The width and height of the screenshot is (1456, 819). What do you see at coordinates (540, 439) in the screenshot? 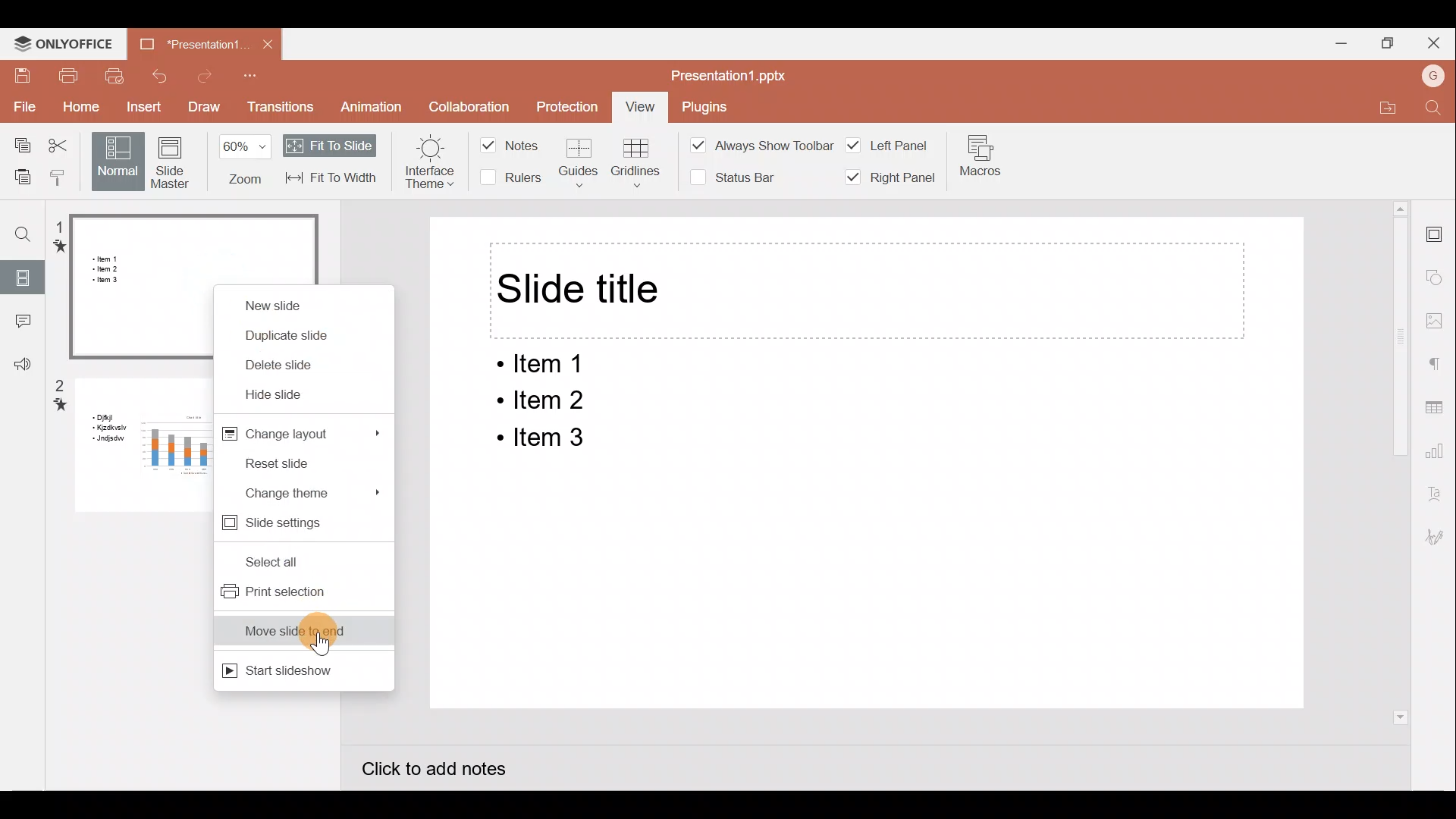
I see `ltem 3` at bounding box center [540, 439].